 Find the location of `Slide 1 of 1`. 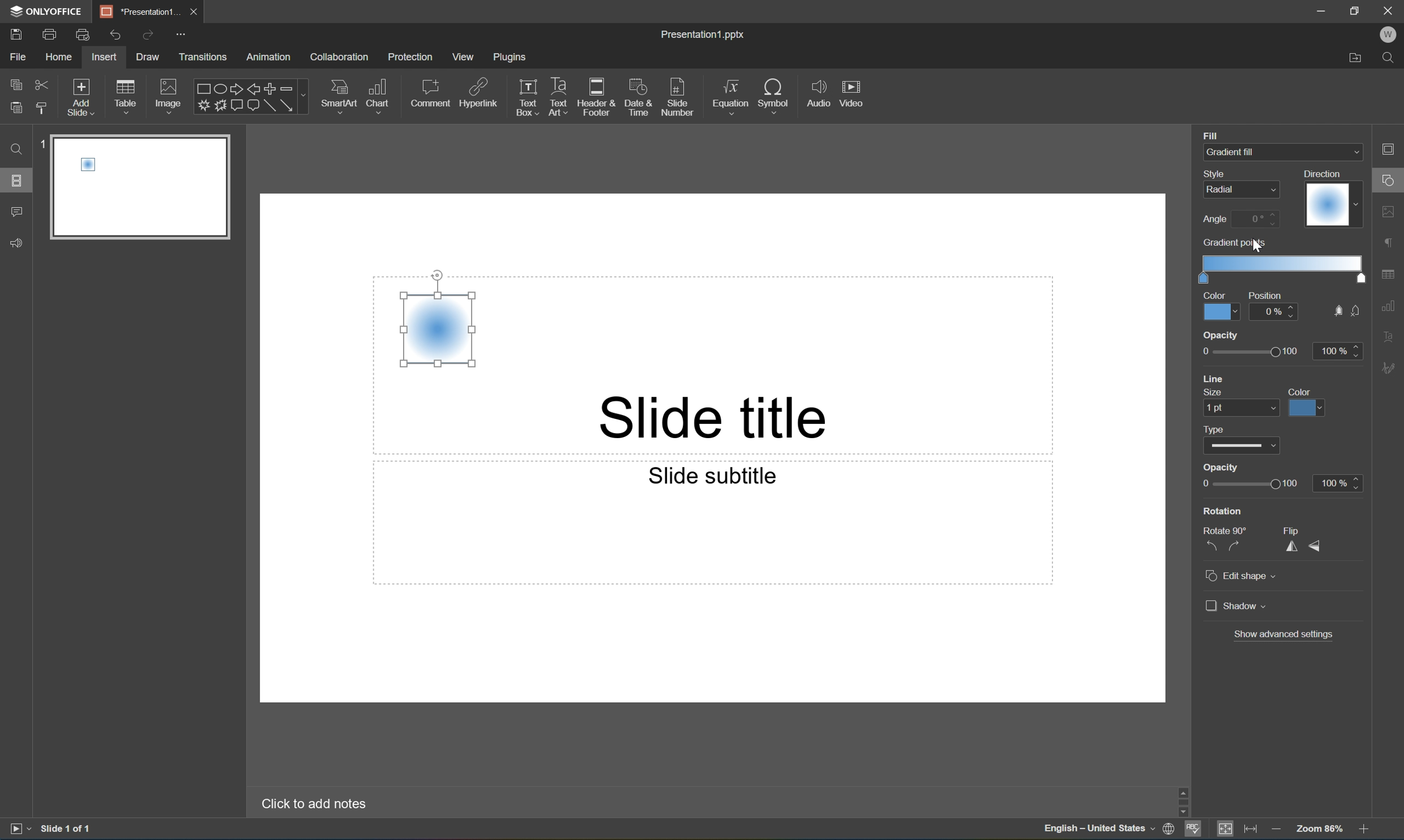

Slide 1 of 1 is located at coordinates (67, 828).